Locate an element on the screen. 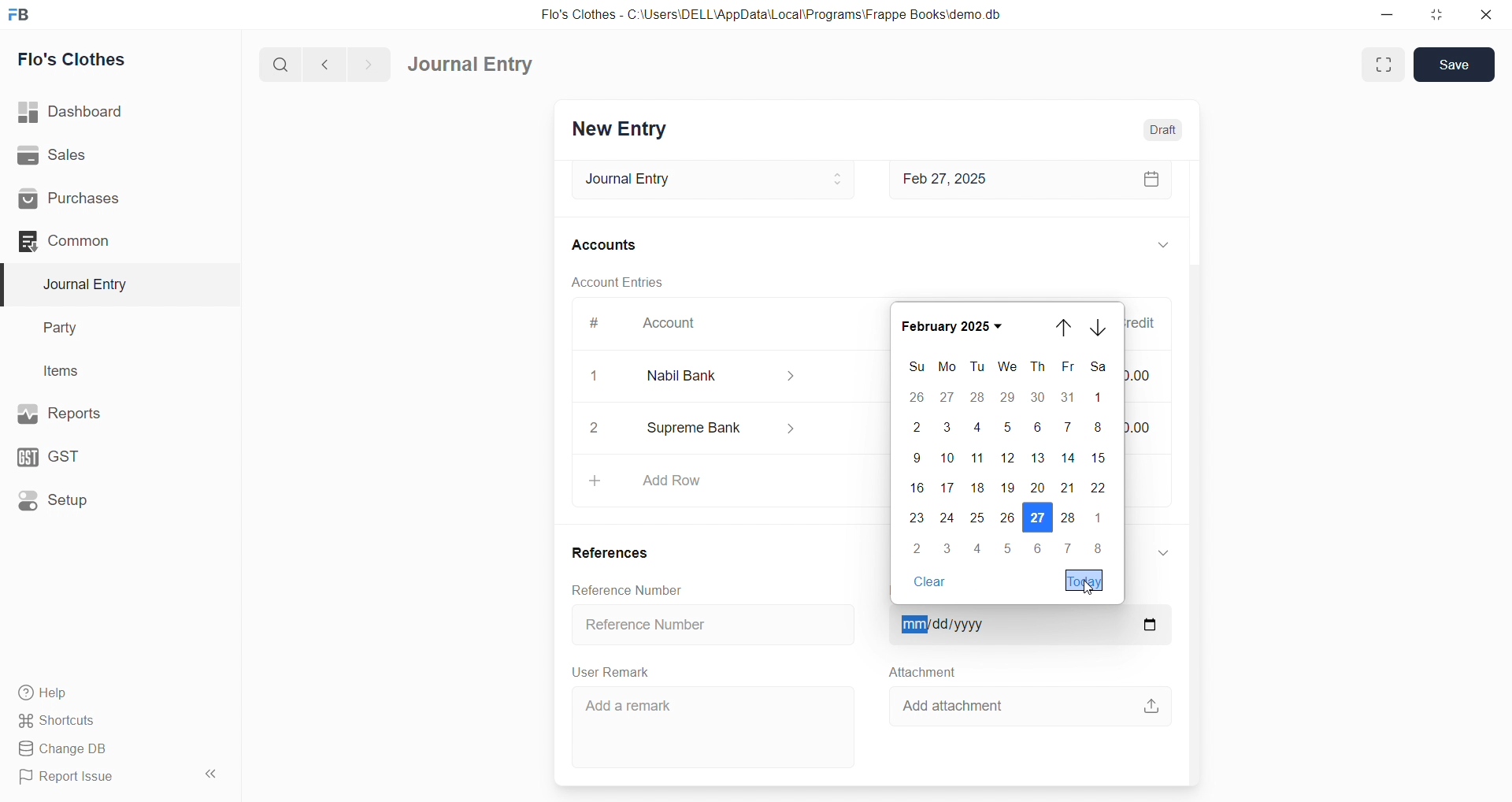 This screenshot has height=802, width=1512. 4 is located at coordinates (977, 429).